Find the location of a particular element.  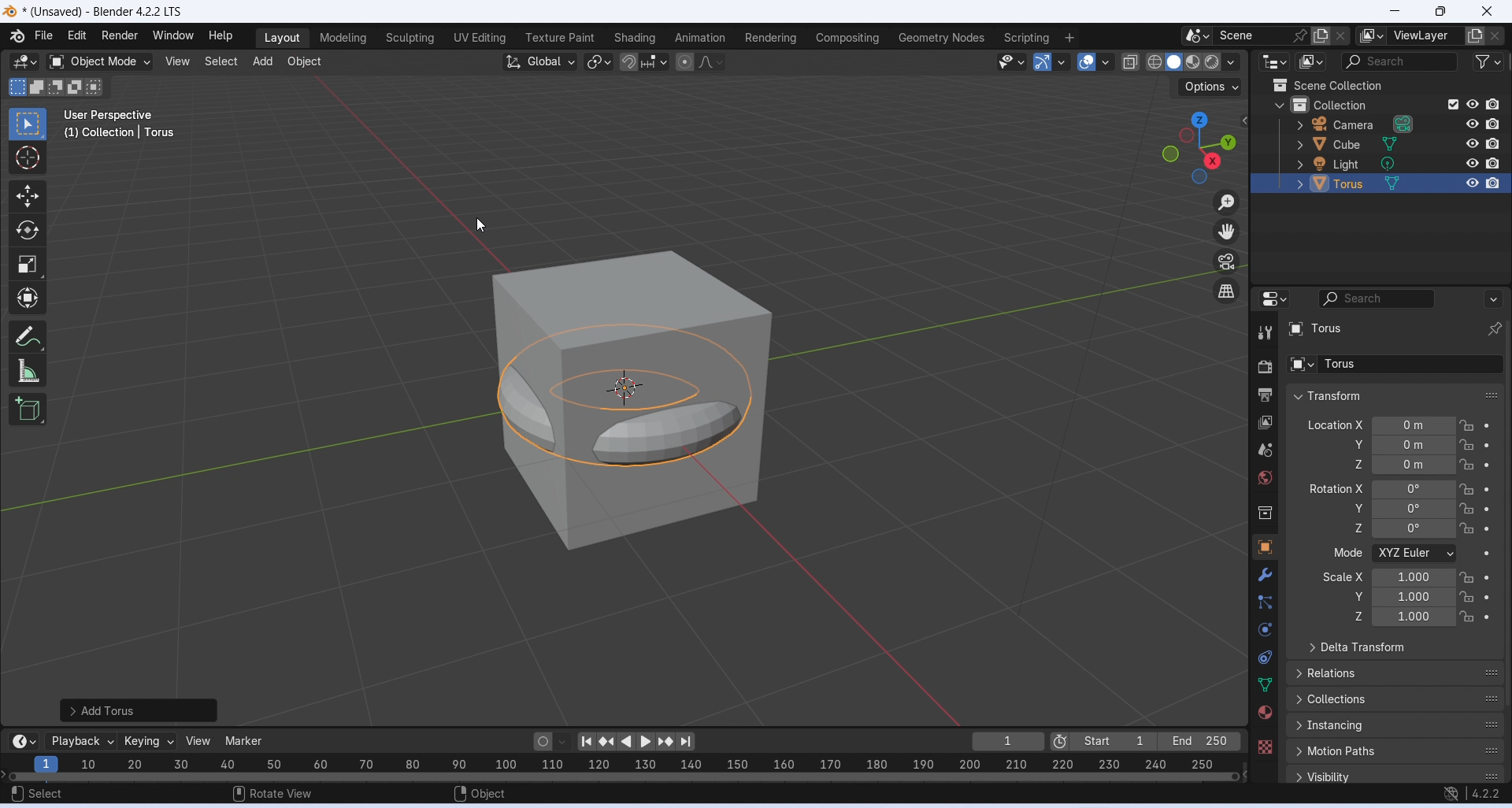

UV Editing is located at coordinates (478, 38).